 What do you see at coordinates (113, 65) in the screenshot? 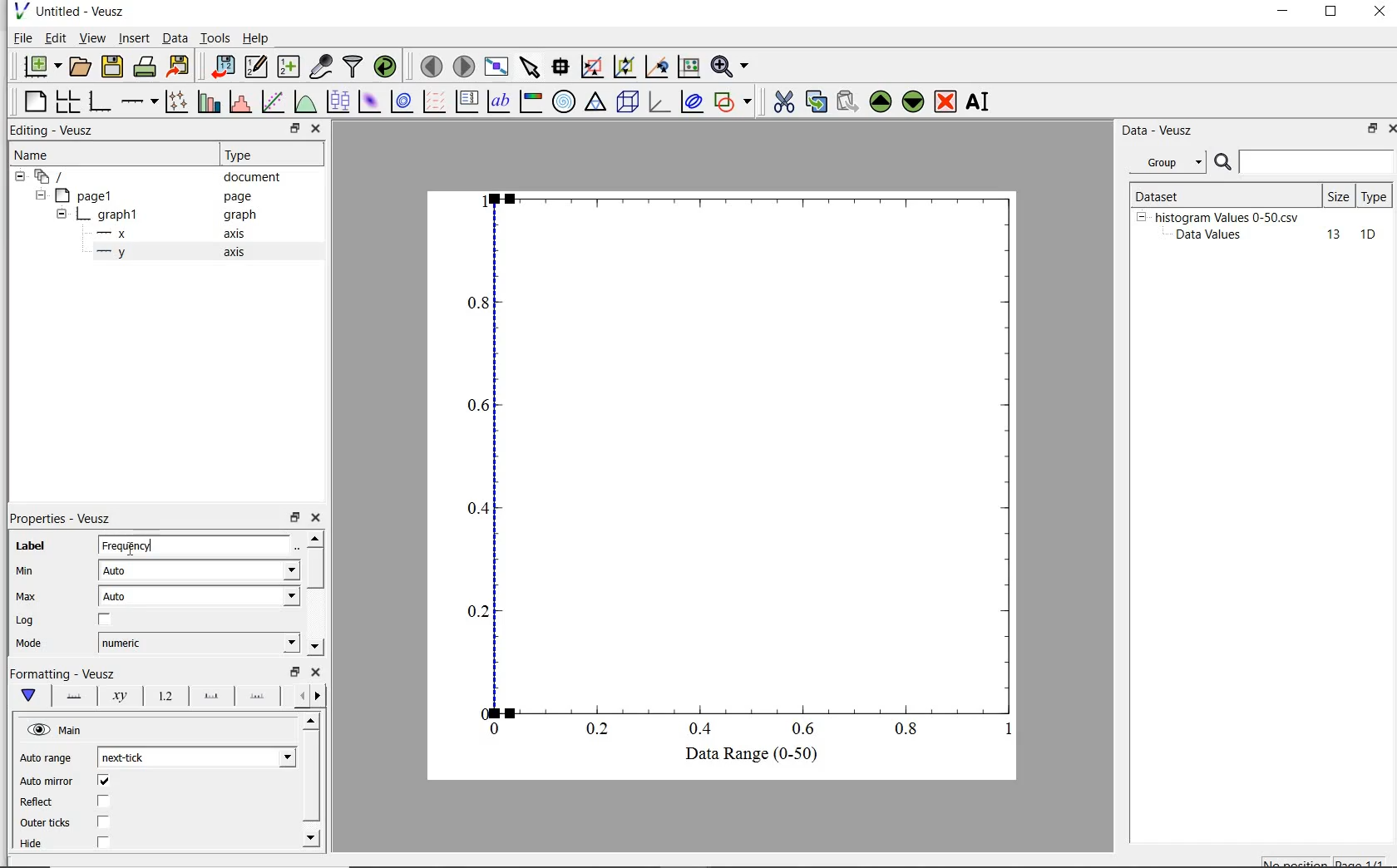
I see `save` at bounding box center [113, 65].